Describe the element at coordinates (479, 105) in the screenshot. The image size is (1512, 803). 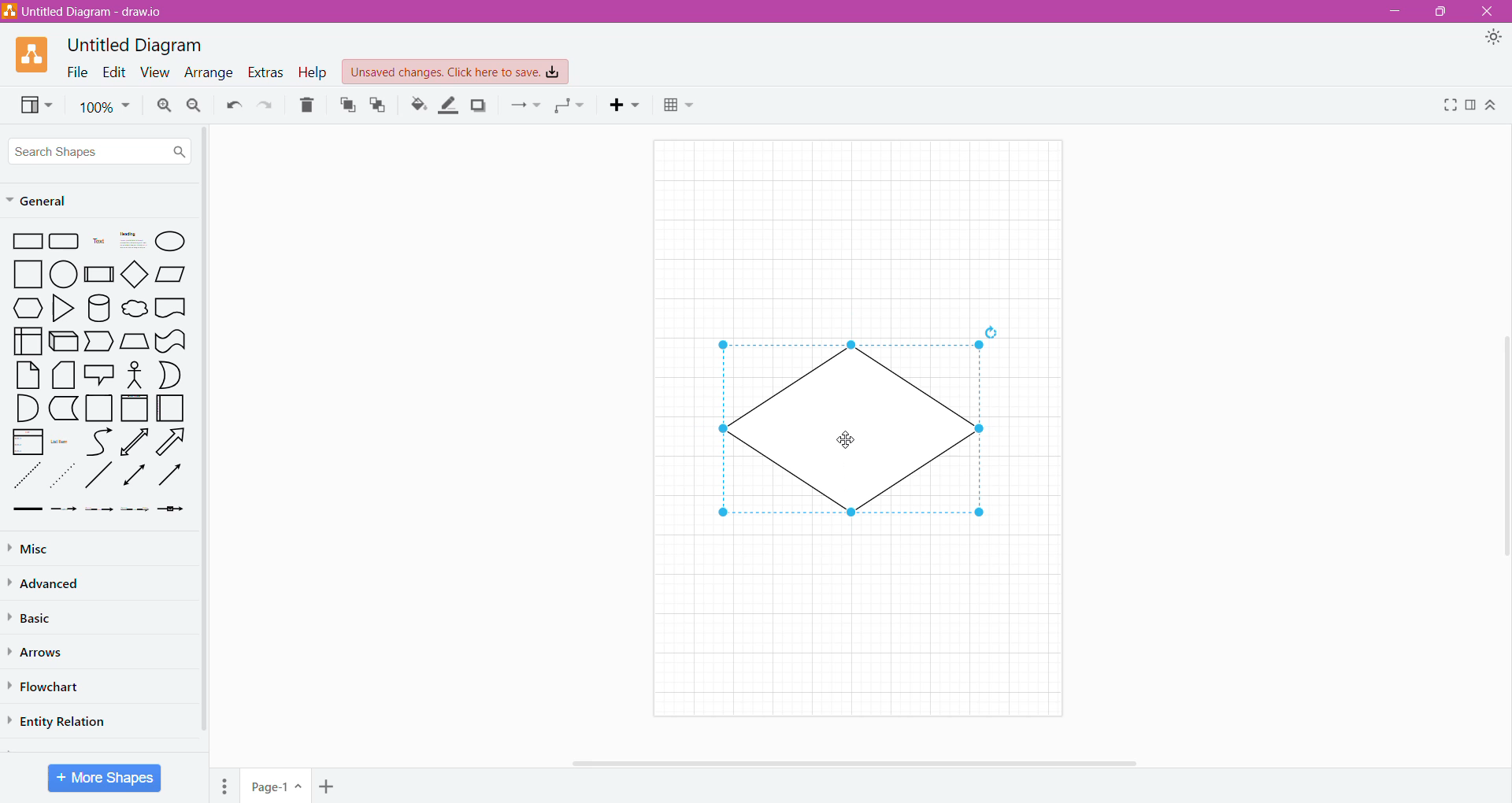
I see `Shadow` at that location.